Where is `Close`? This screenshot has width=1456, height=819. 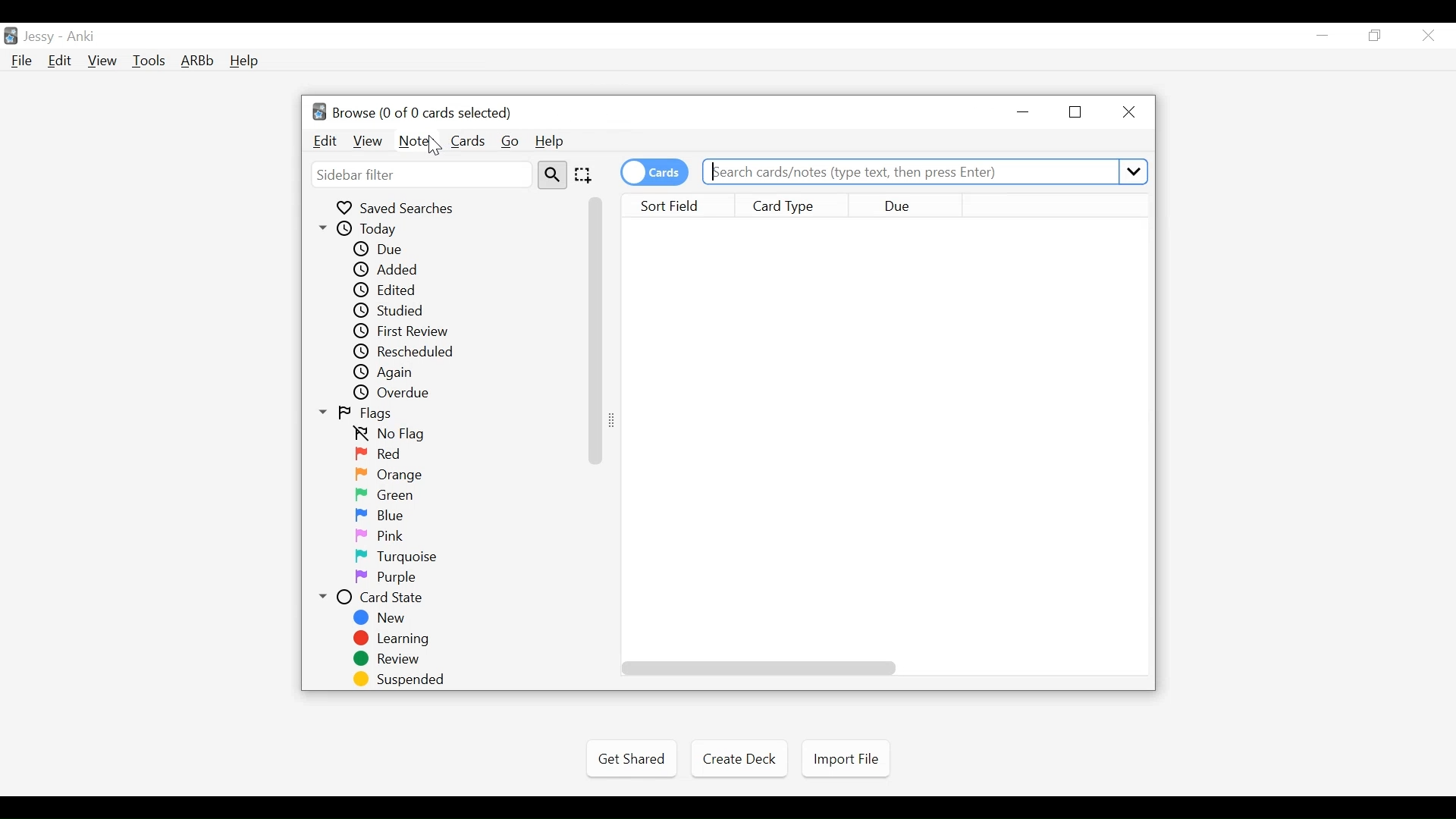 Close is located at coordinates (1126, 113).